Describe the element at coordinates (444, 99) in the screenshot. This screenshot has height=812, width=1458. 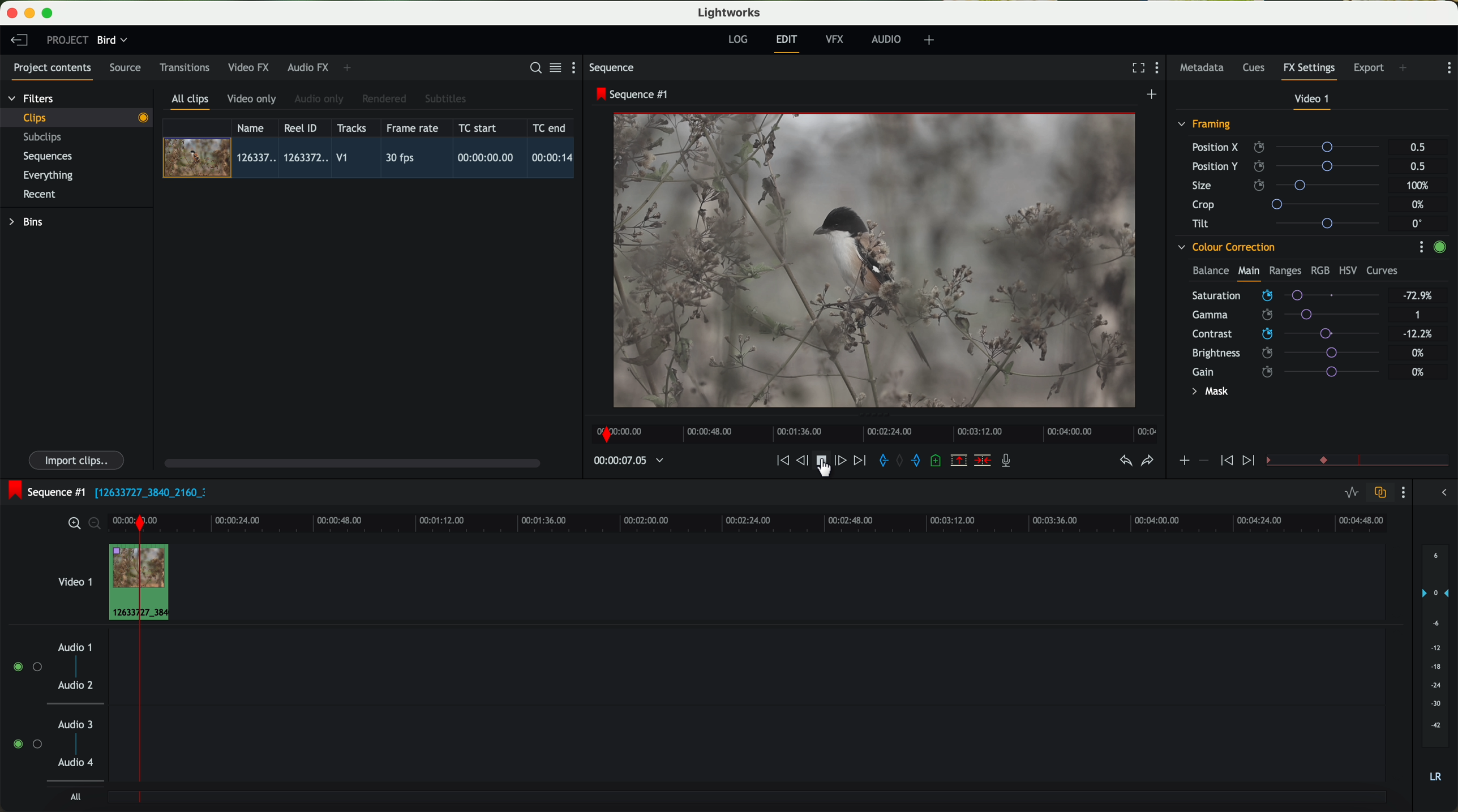
I see `subtitles` at that location.